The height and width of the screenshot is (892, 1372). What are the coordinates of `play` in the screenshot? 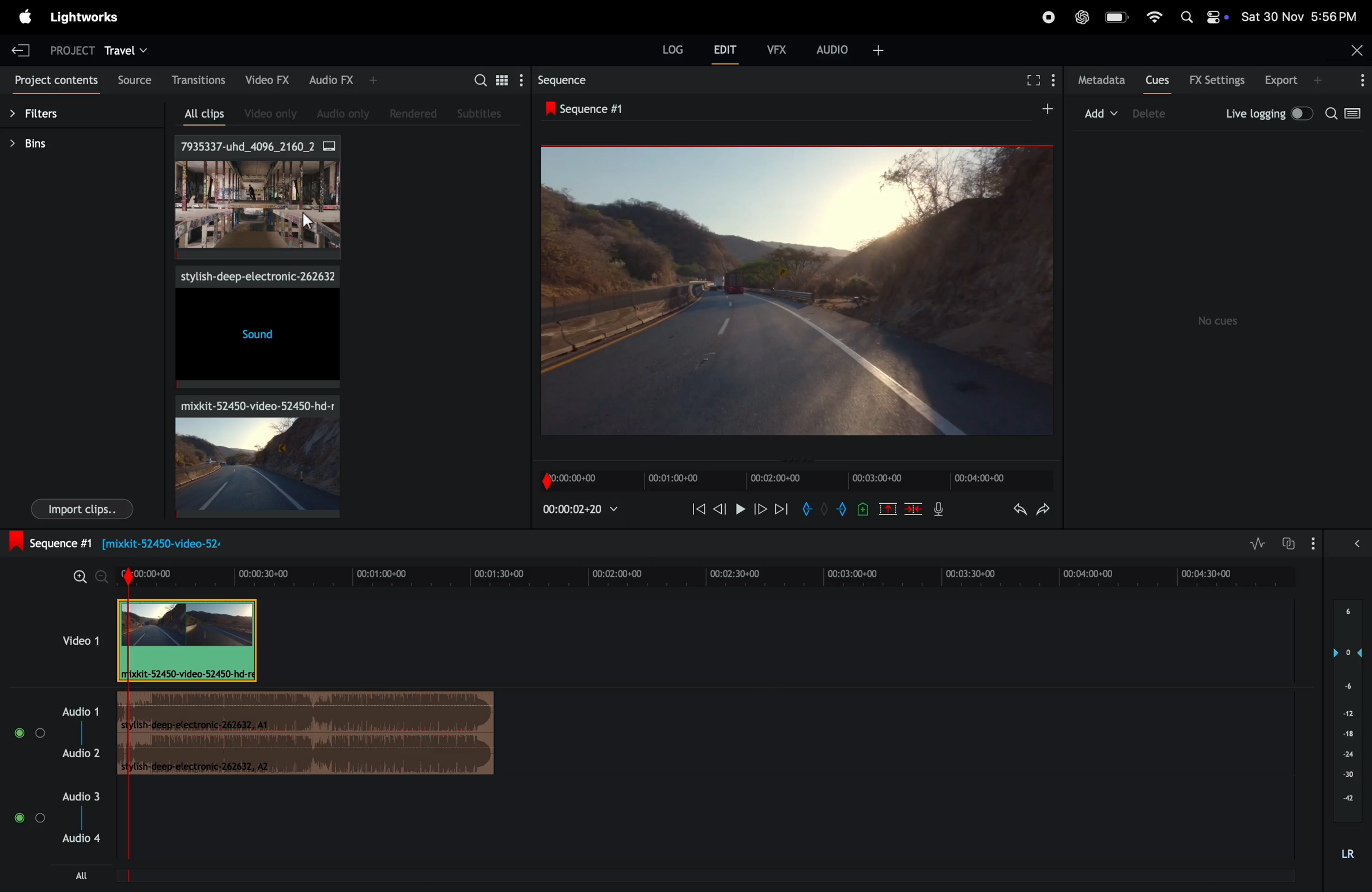 It's located at (740, 510).